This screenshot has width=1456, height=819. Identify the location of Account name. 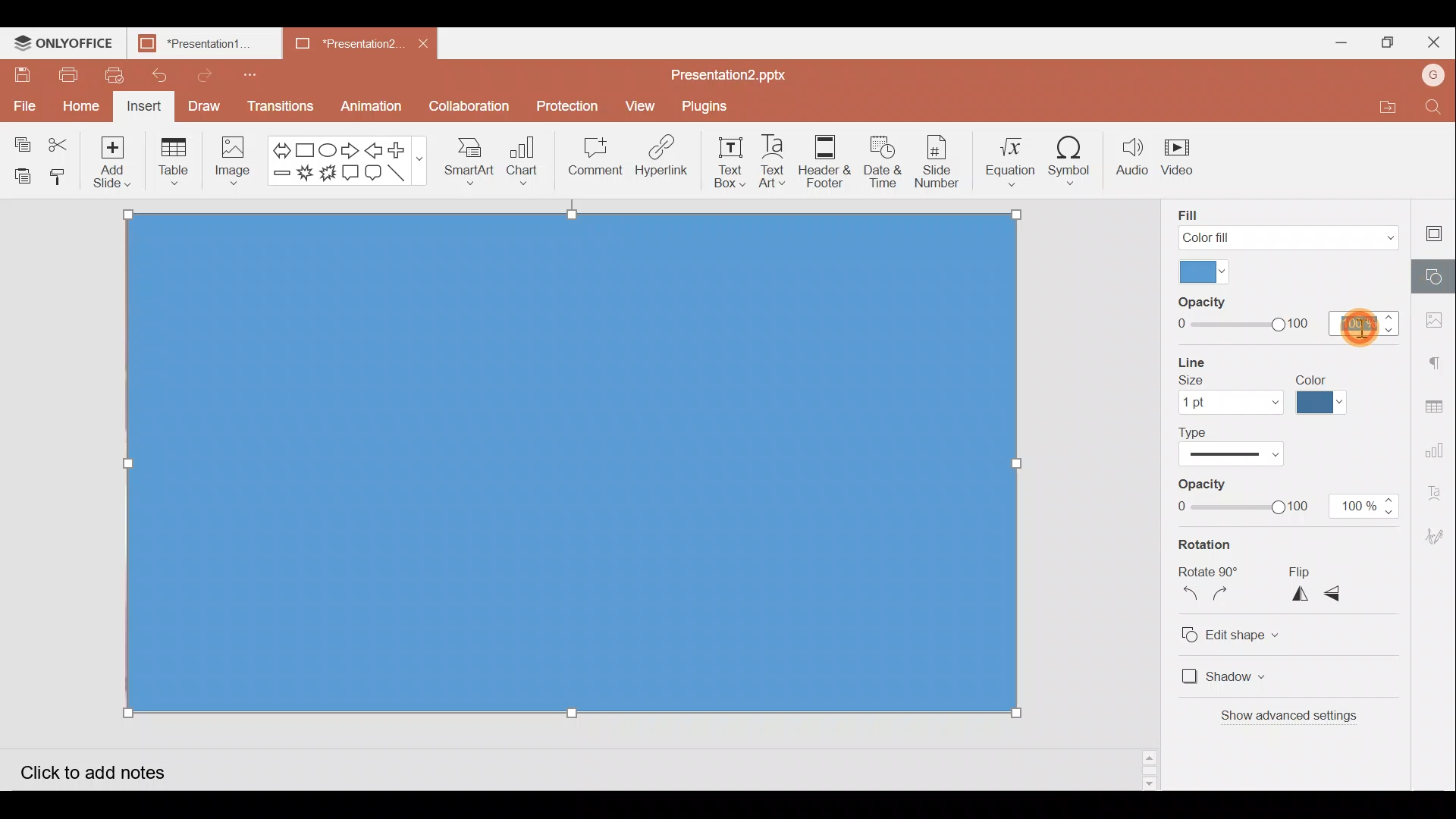
(1435, 75).